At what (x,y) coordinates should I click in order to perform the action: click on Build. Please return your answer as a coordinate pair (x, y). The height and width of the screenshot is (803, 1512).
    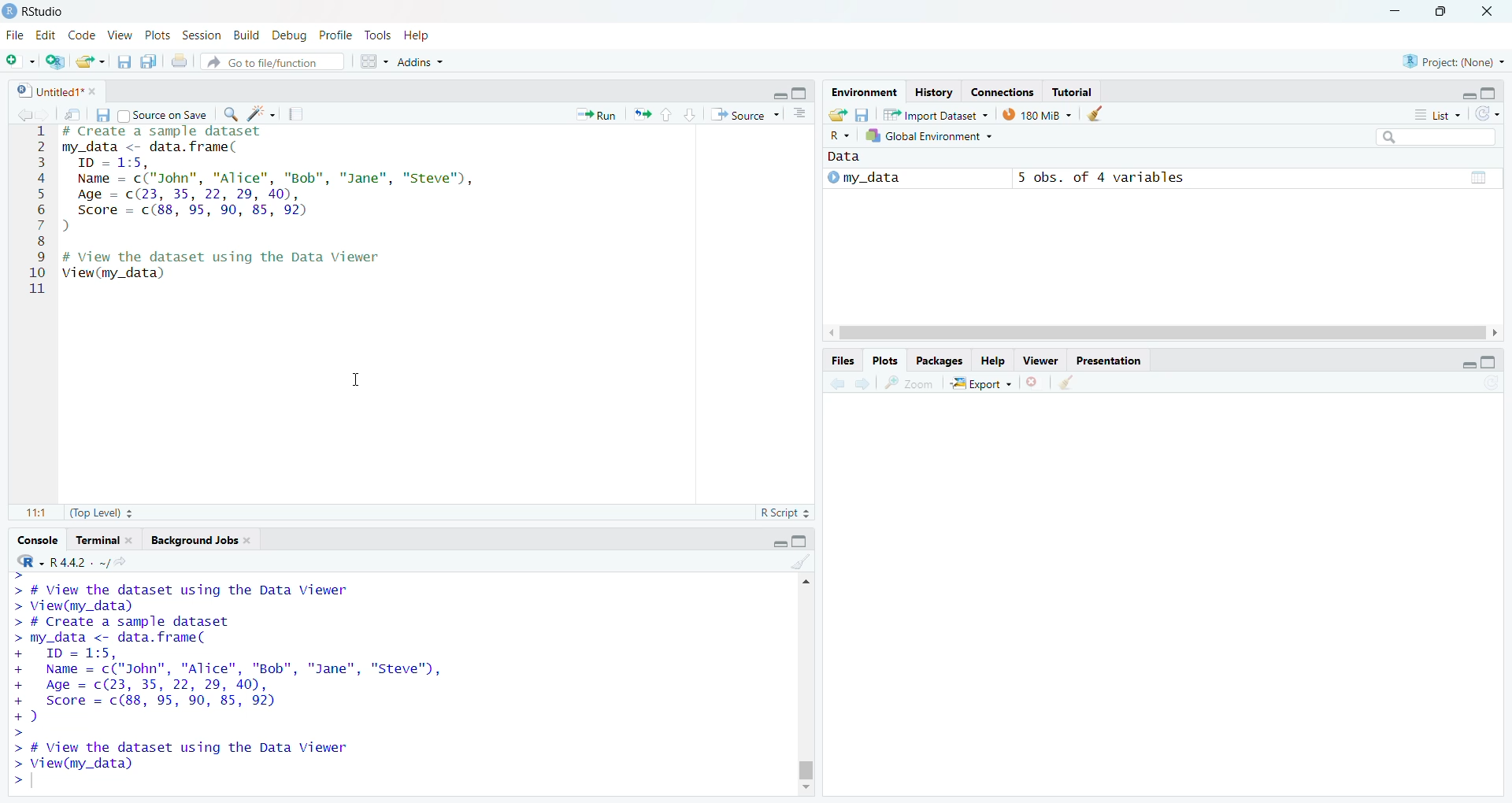
    Looking at the image, I should click on (246, 35).